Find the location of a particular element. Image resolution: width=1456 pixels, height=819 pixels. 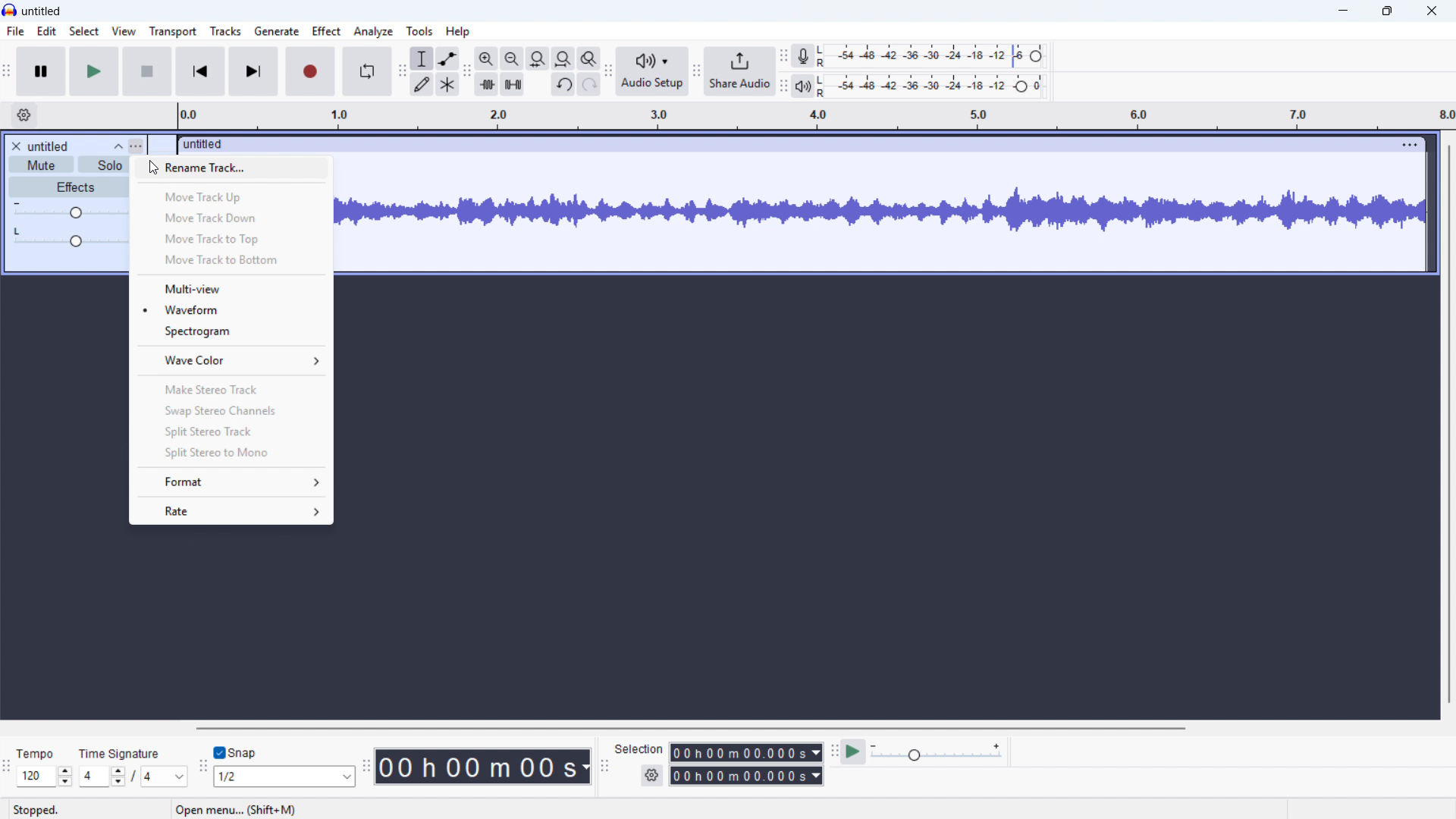

untitled is located at coordinates (42, 12).